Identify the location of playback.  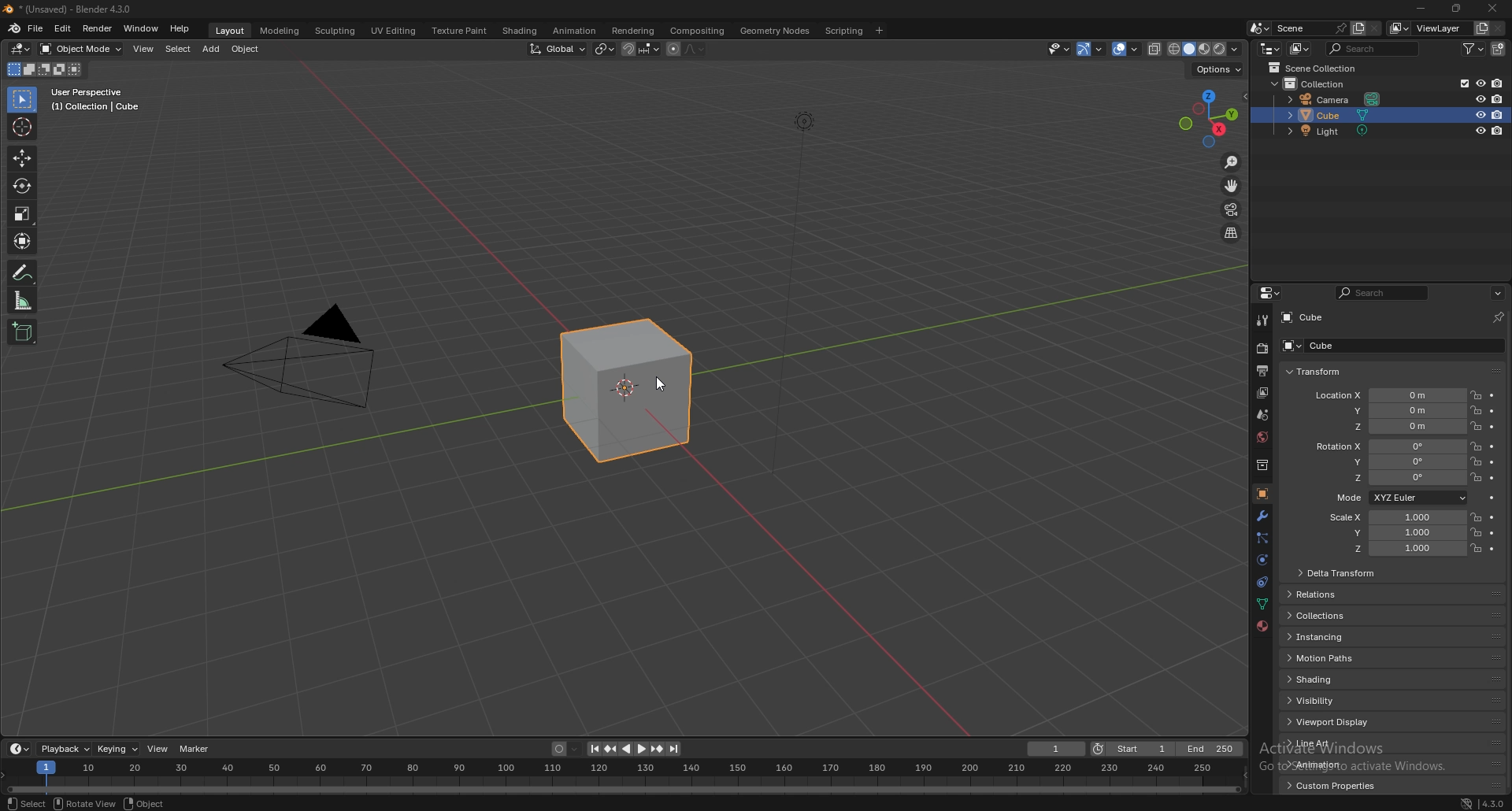
(65, 749).